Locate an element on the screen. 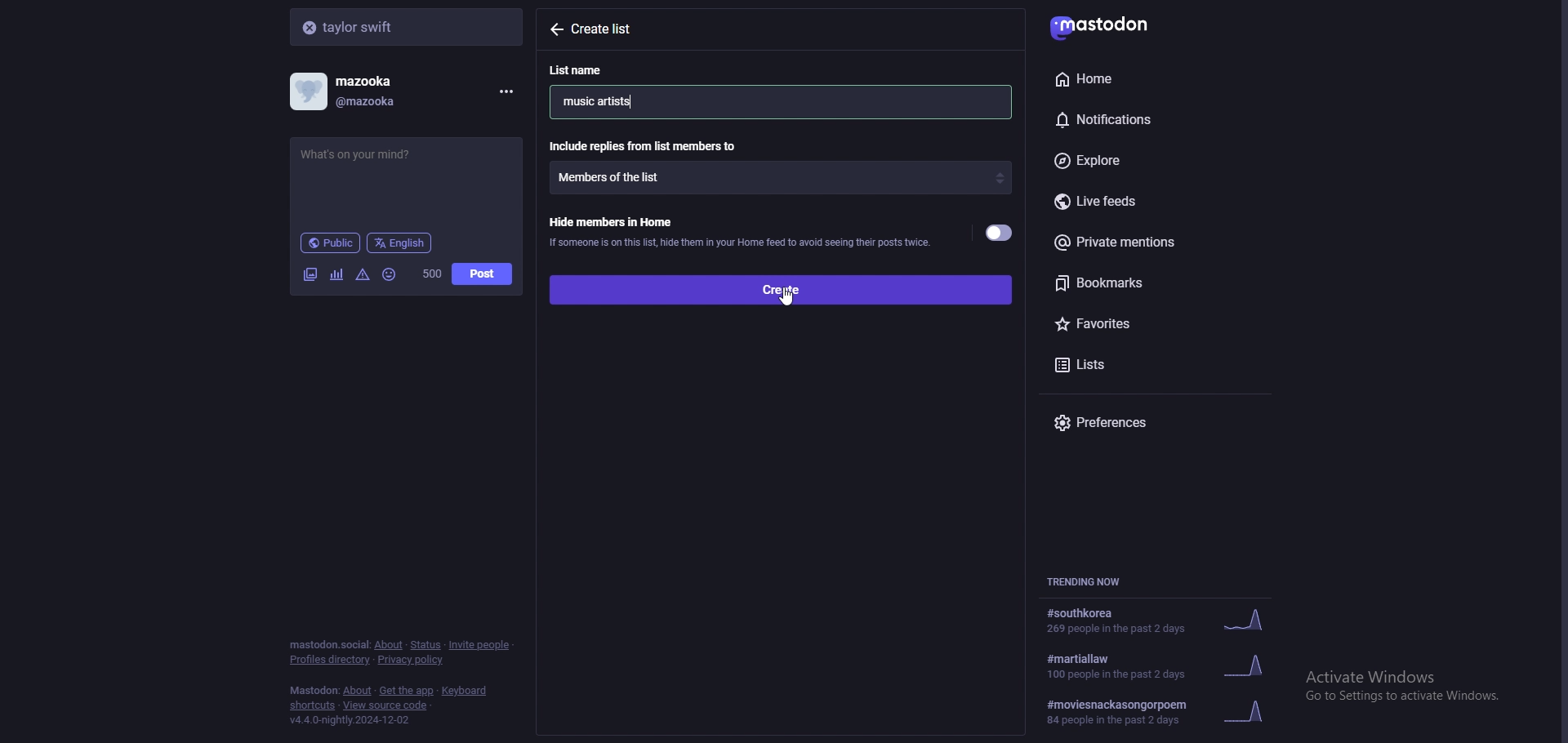 Image resolution: width=1568 pixels, height=743 pixels. lists is located at coordinates (1118, 363).